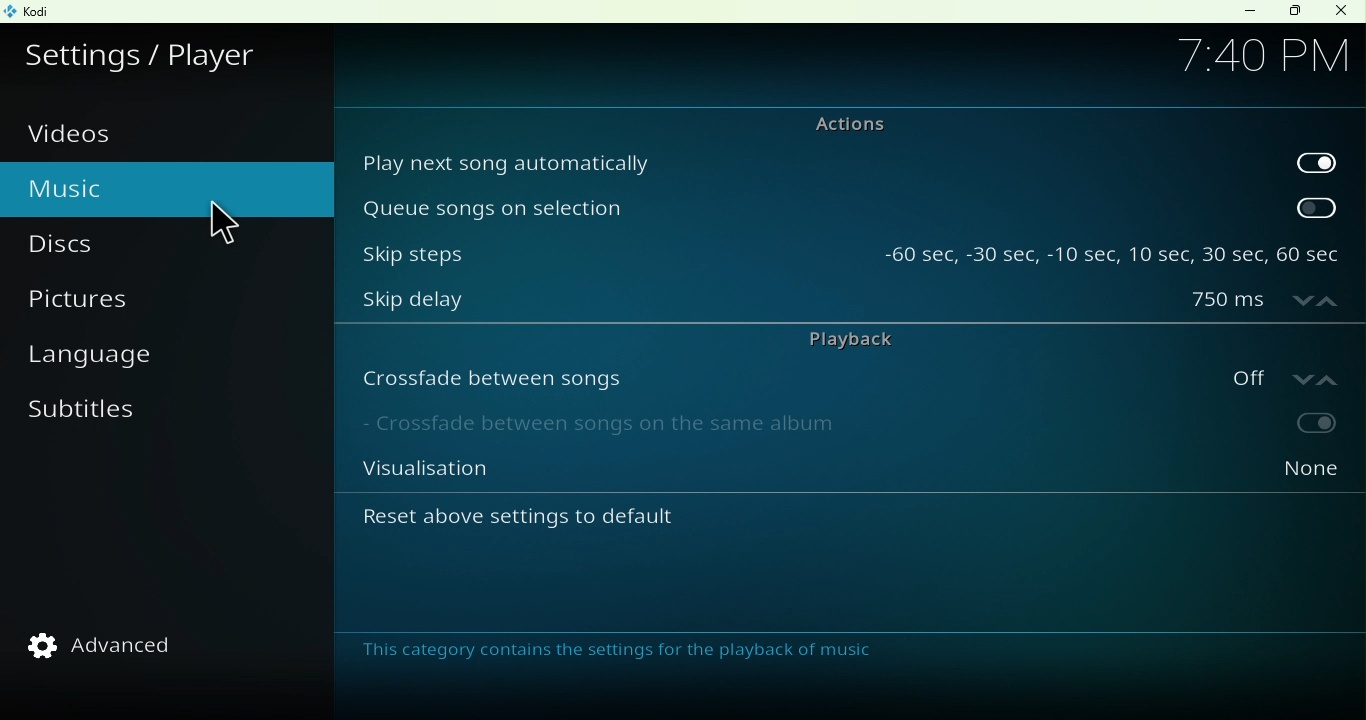 This screenshot has height=720, width=1366. What do you see at coordinates (112, 186) in the screenshot?
I see `Music` at bounding box center [112, 186].